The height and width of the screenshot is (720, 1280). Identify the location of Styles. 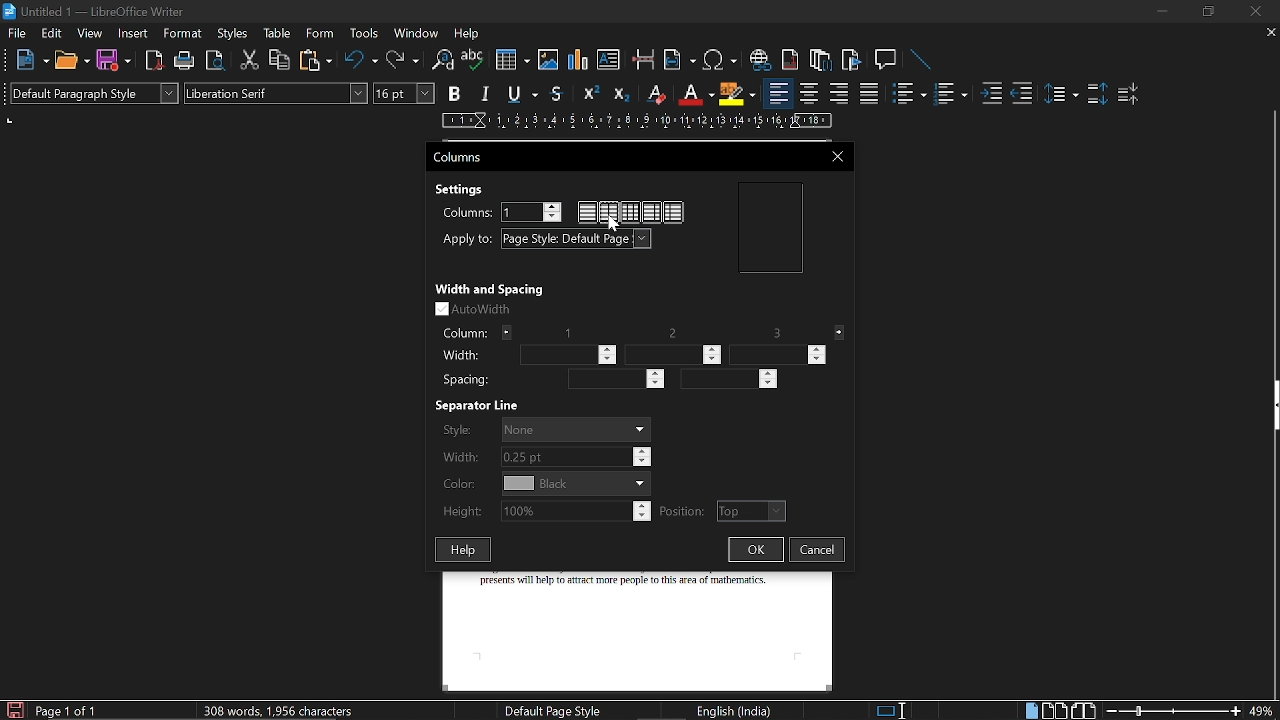
(234, 34).